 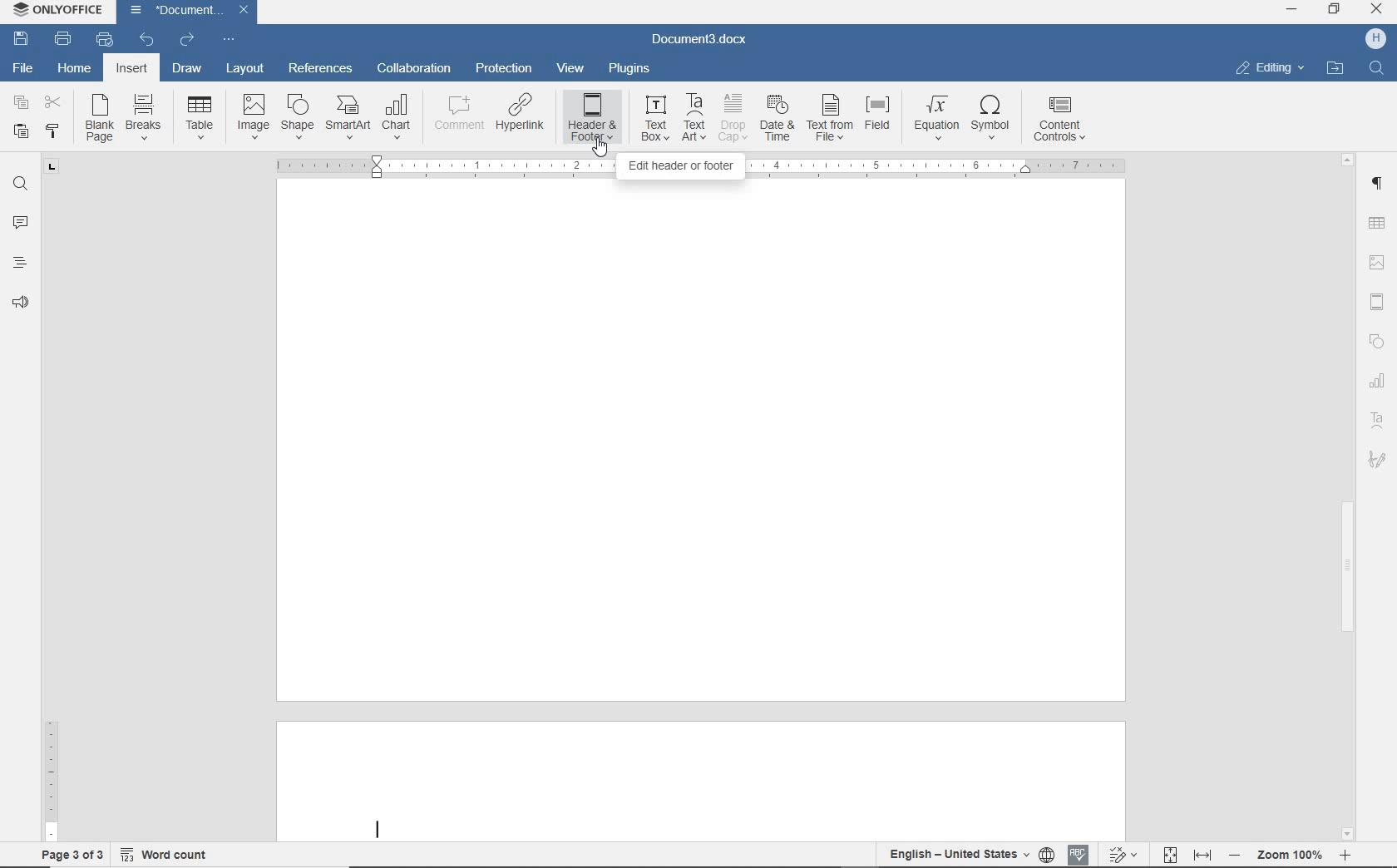 I want to click on BLANK OAGE, so click(x=97, y=118).